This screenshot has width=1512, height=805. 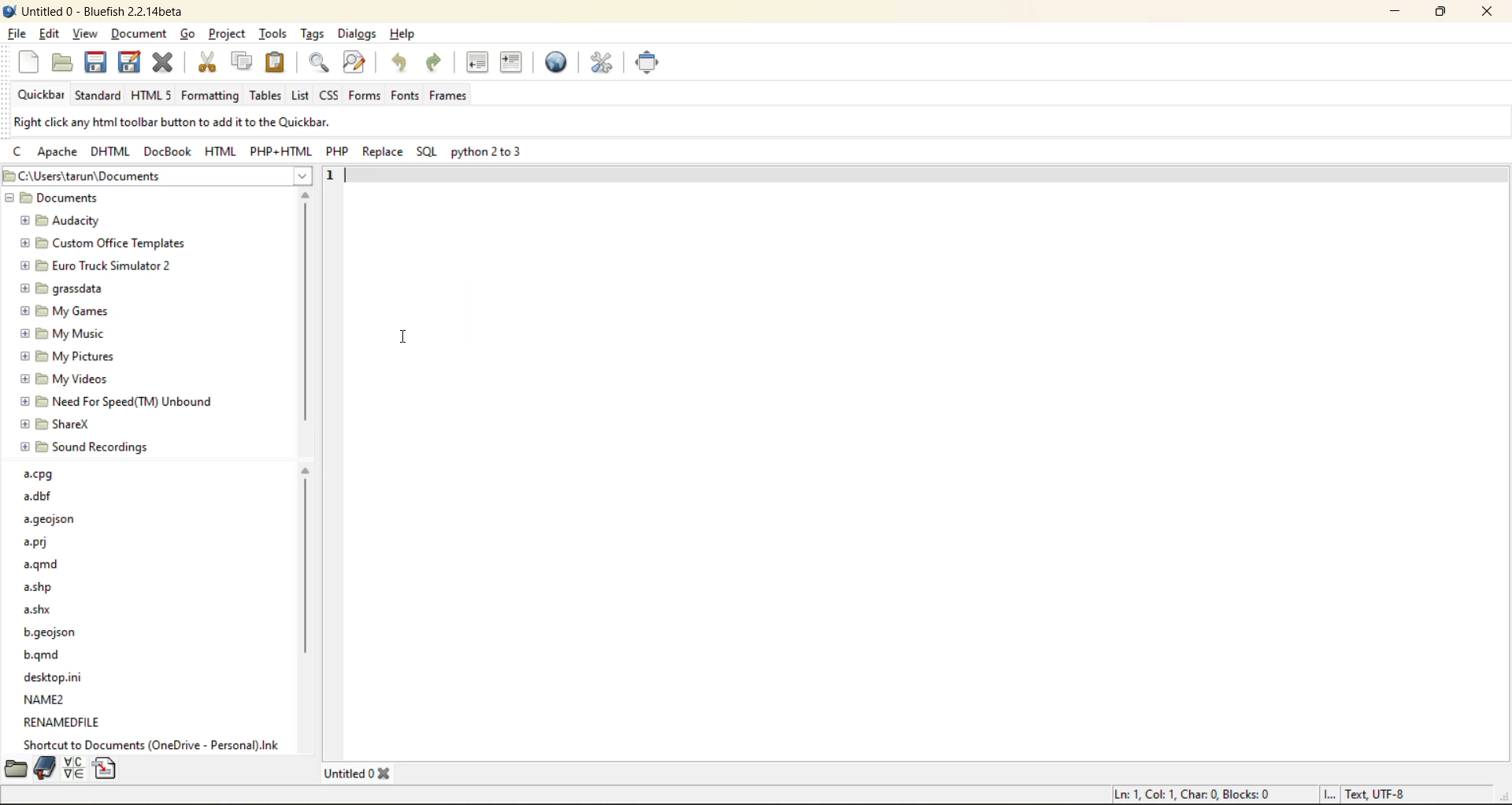 I want to click on help, so click(x=404, y=35).